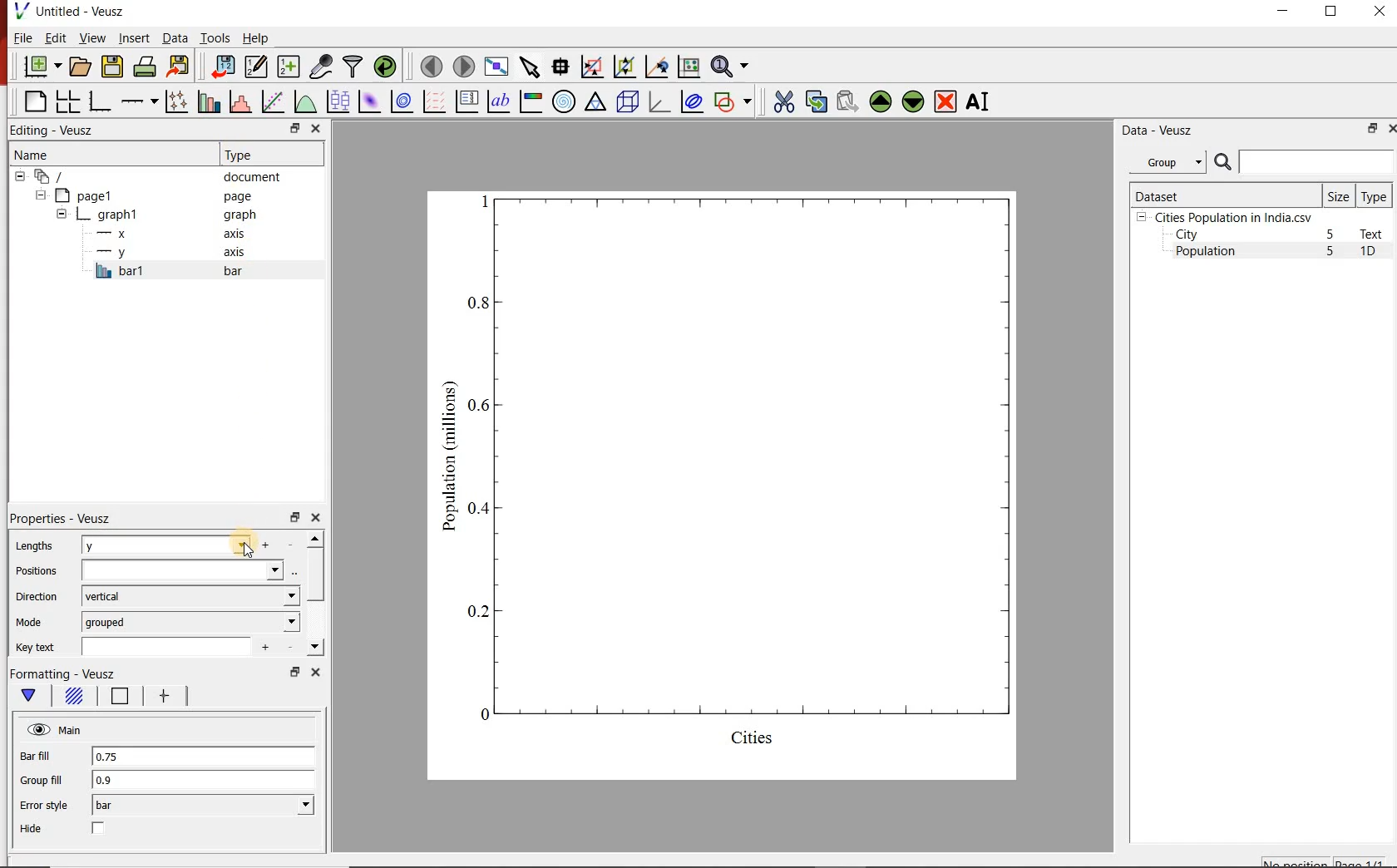  What do you see at coordinates (1378, 13) in the screenshot?
I see `CLOSE` at bounding box center [1378, 13].